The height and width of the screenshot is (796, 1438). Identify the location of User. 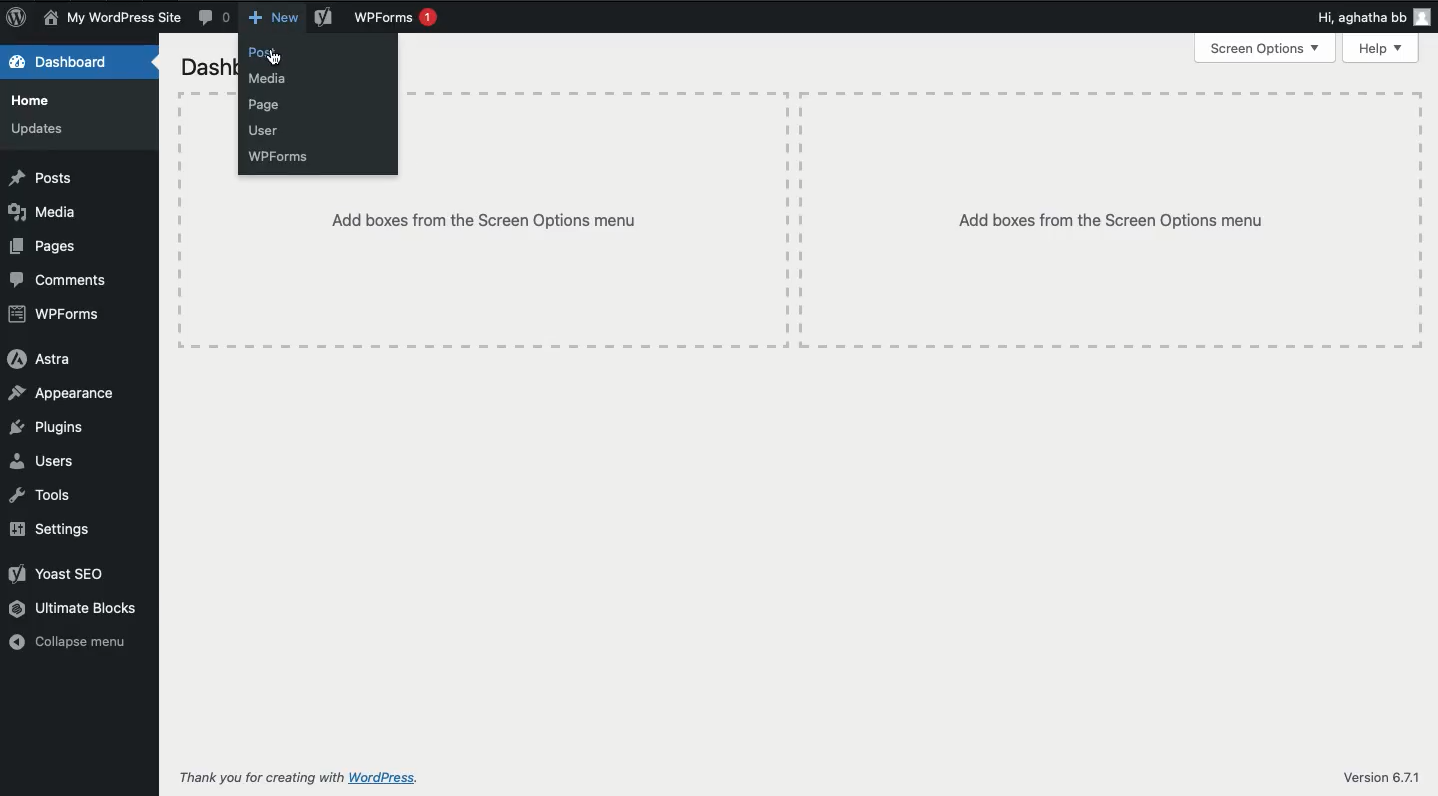
(264, 131).